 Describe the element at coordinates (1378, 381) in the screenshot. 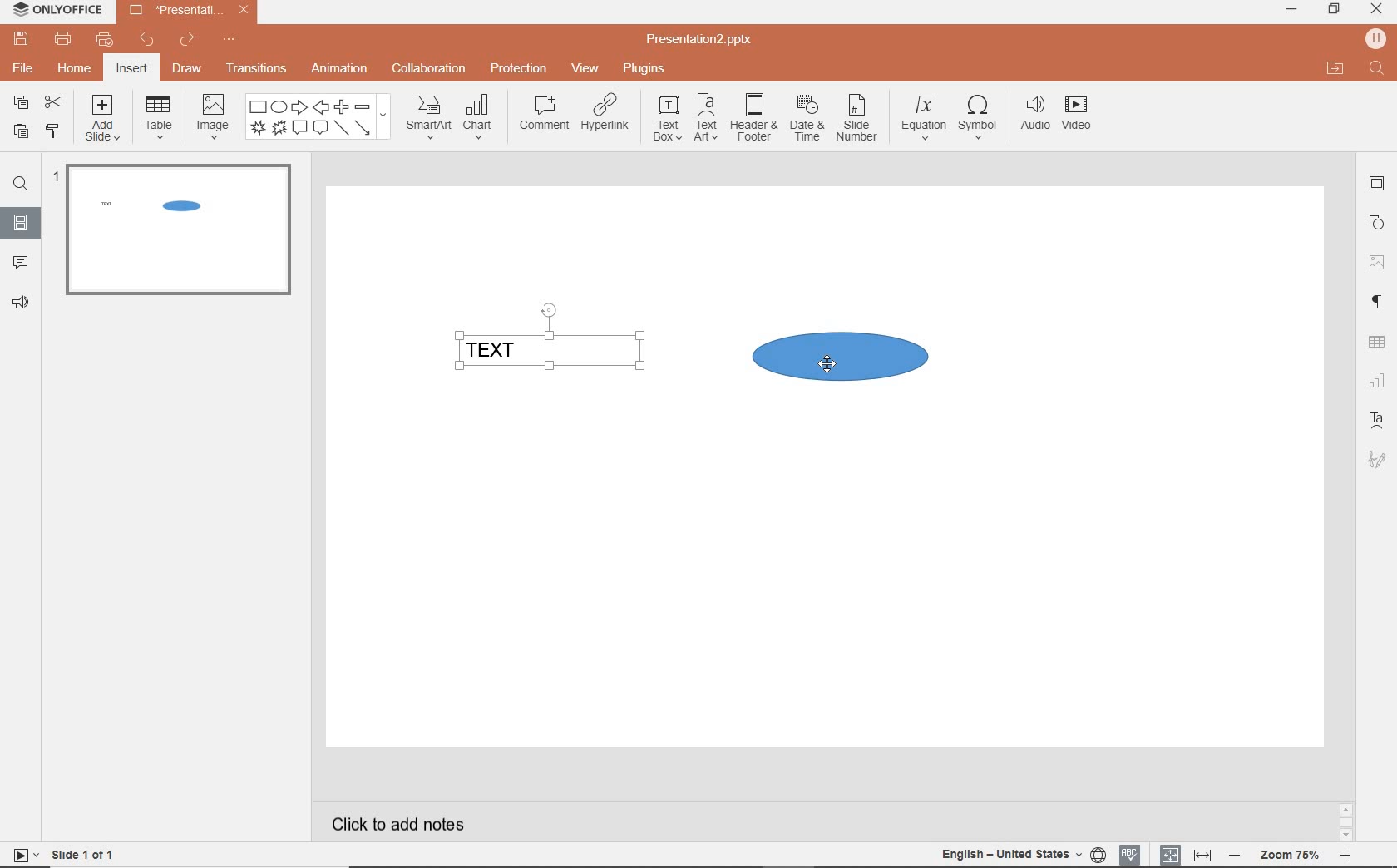

I see `CHART SETTINGS` at that location.